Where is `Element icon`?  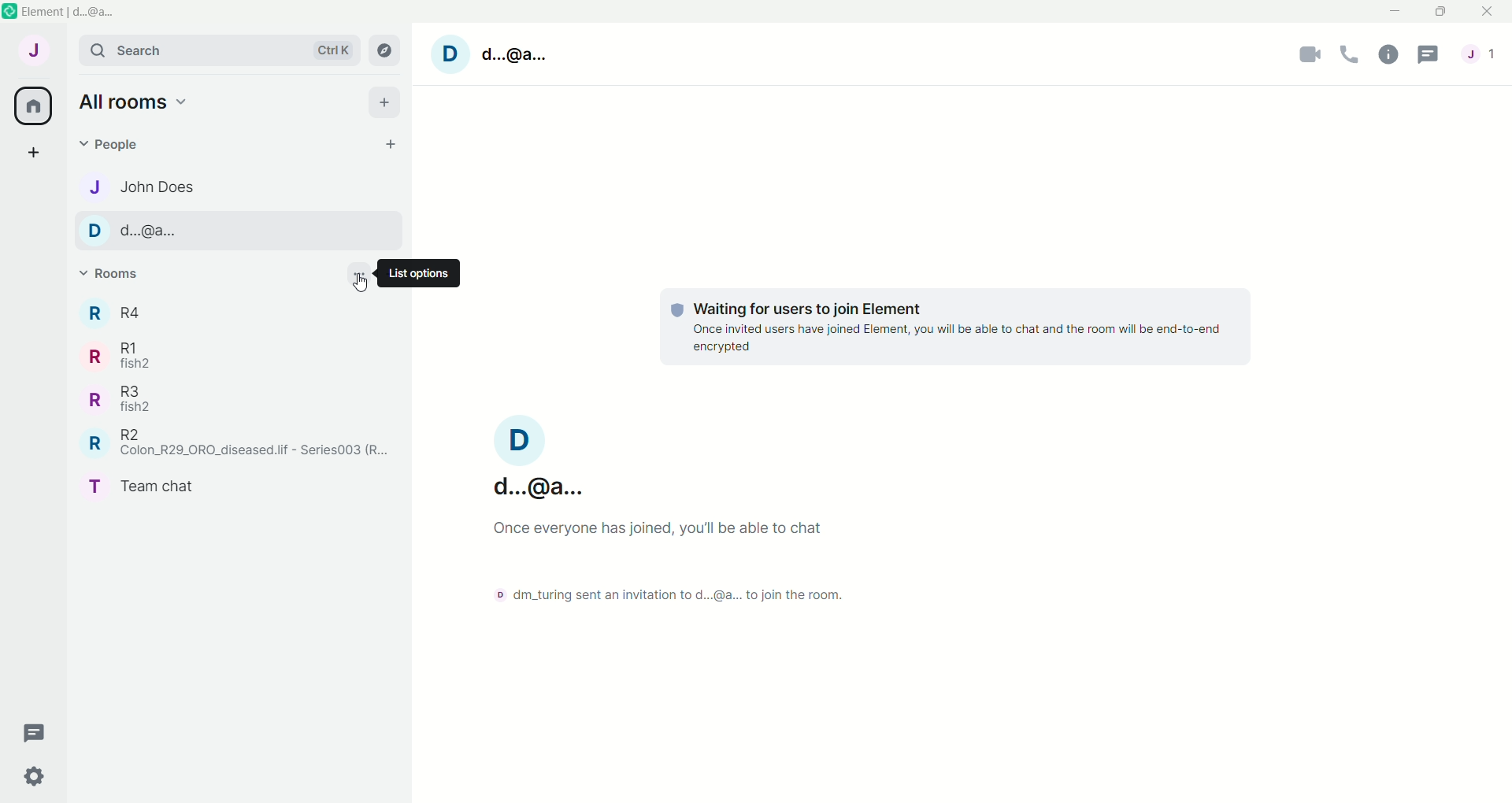
Element icon is located at coordinates (9, 11).